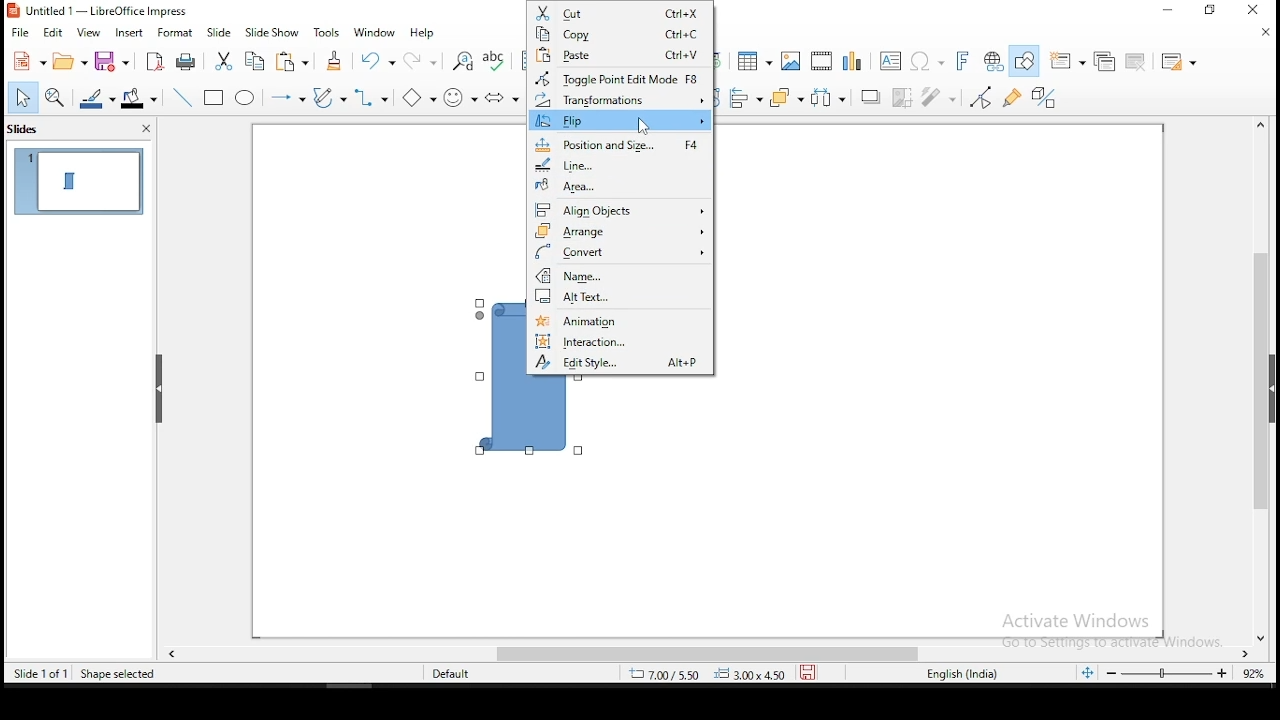 This screenshot has height=720, width=1280. I want to click on new slide, so click(1069, 59).